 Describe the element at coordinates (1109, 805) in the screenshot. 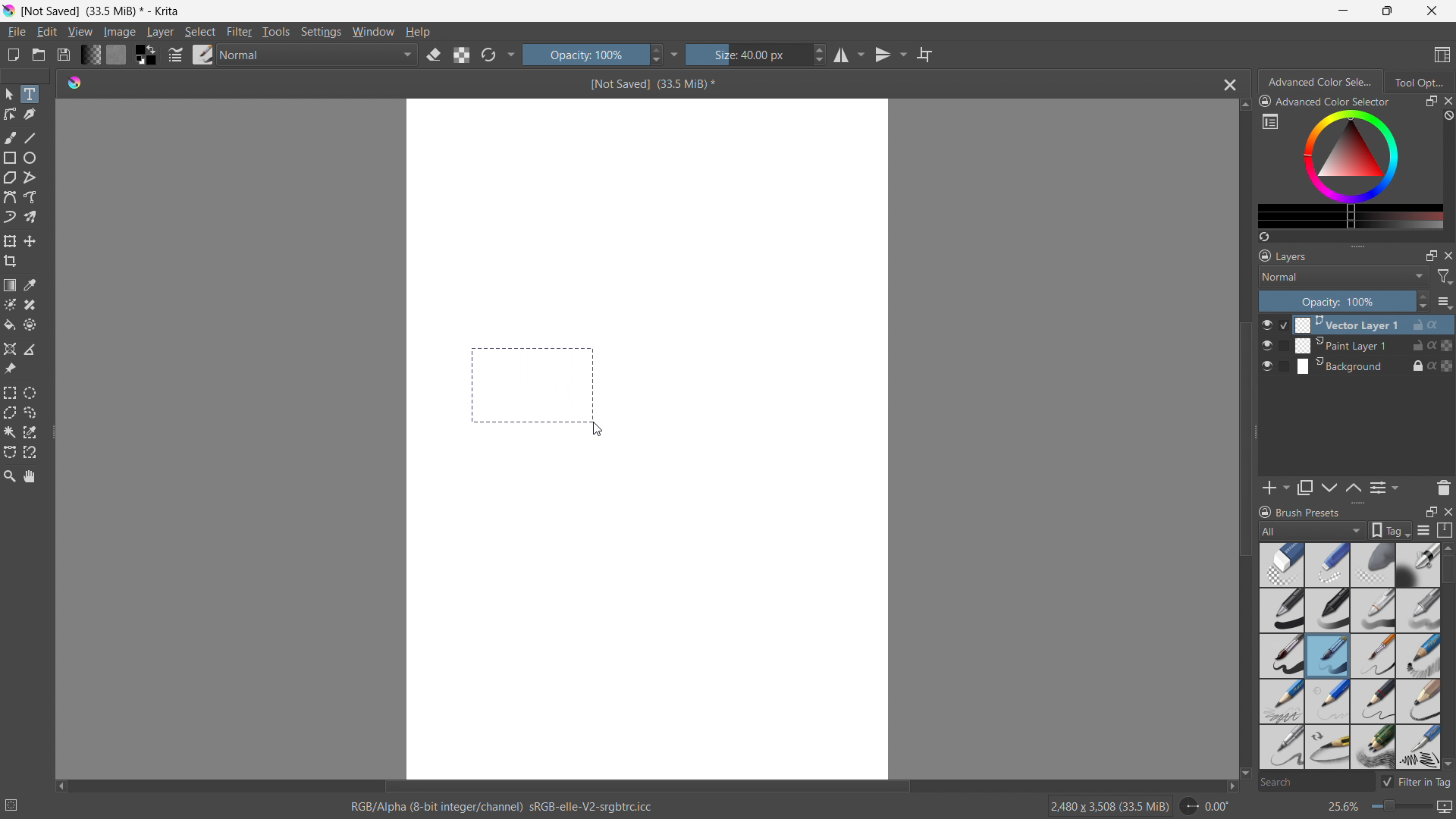

I see `2480 X 3508 (33.5 MiB)` at that location.